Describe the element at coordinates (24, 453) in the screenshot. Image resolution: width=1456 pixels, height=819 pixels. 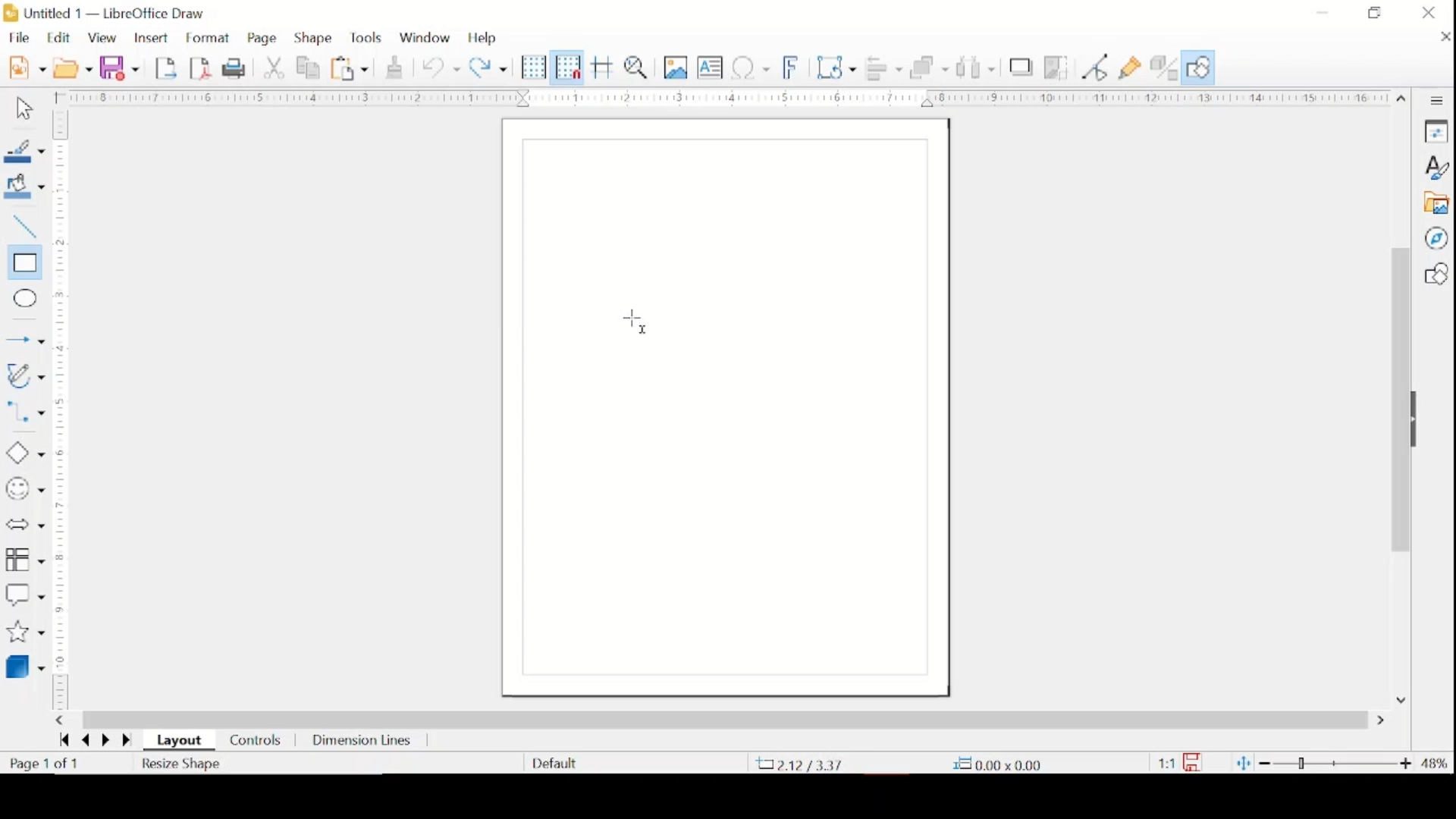
I see `diamond` at that location.